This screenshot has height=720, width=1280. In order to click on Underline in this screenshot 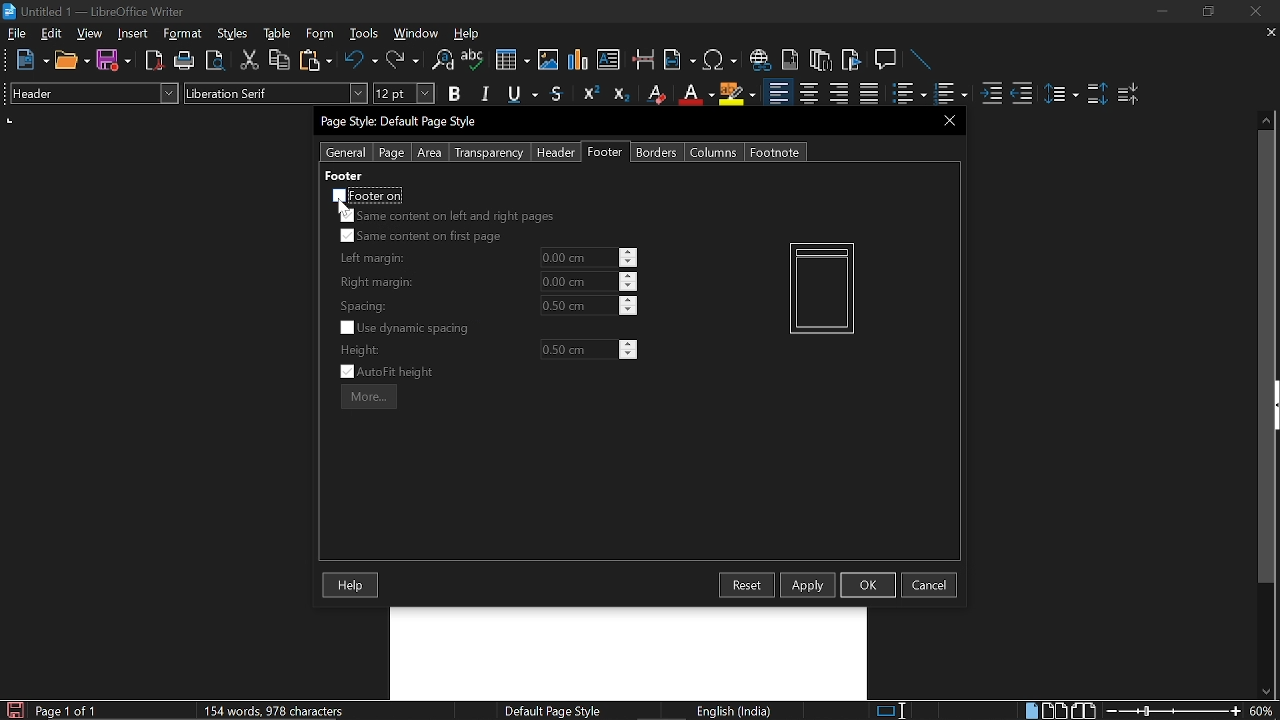, I will do `click(524, 95)`.